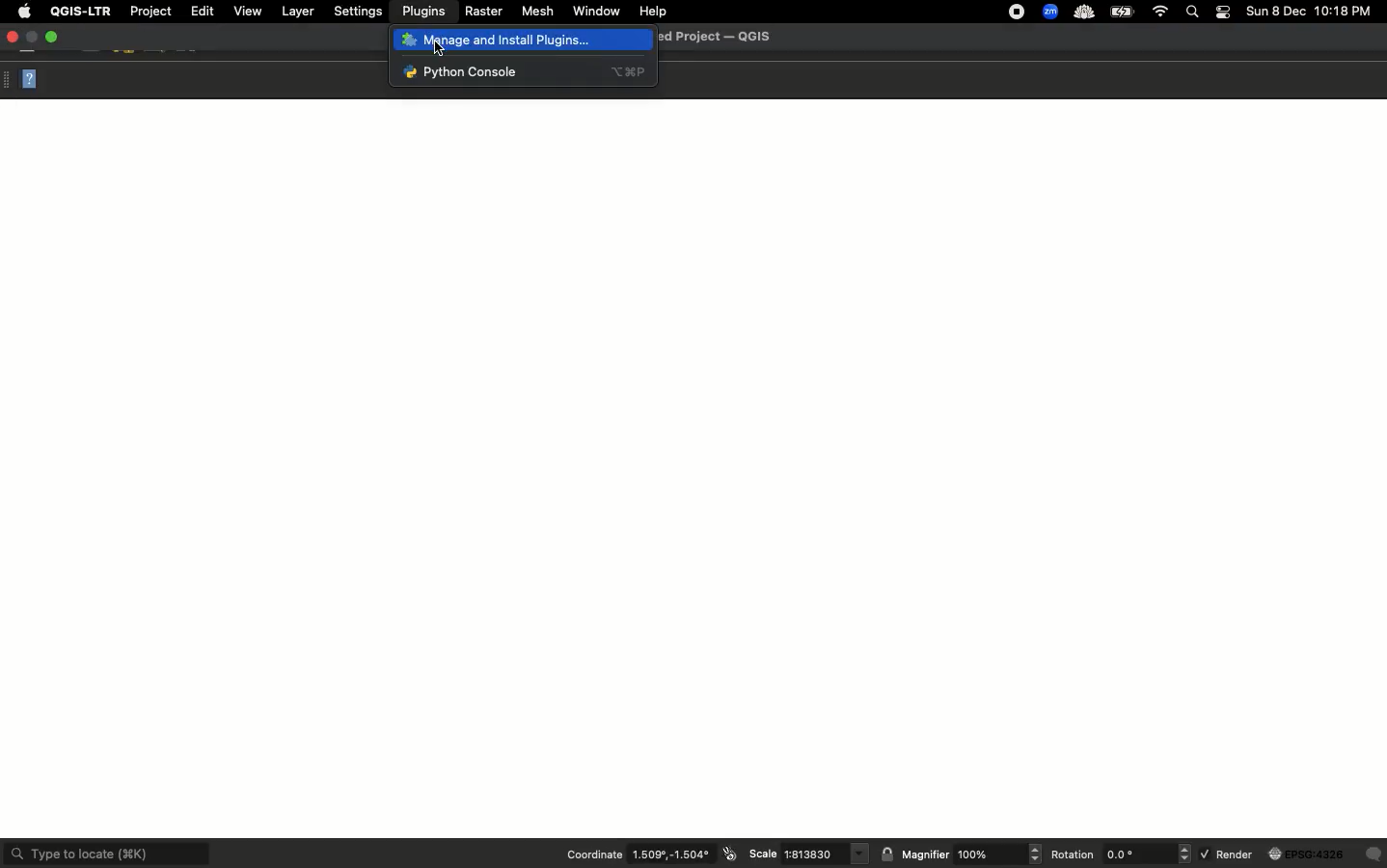 This screenshot has height=868, width=1387. What do you see at coordinates (1162, 12) in the screenshot?
I see `Internet` at bounding box center [1162, 12].